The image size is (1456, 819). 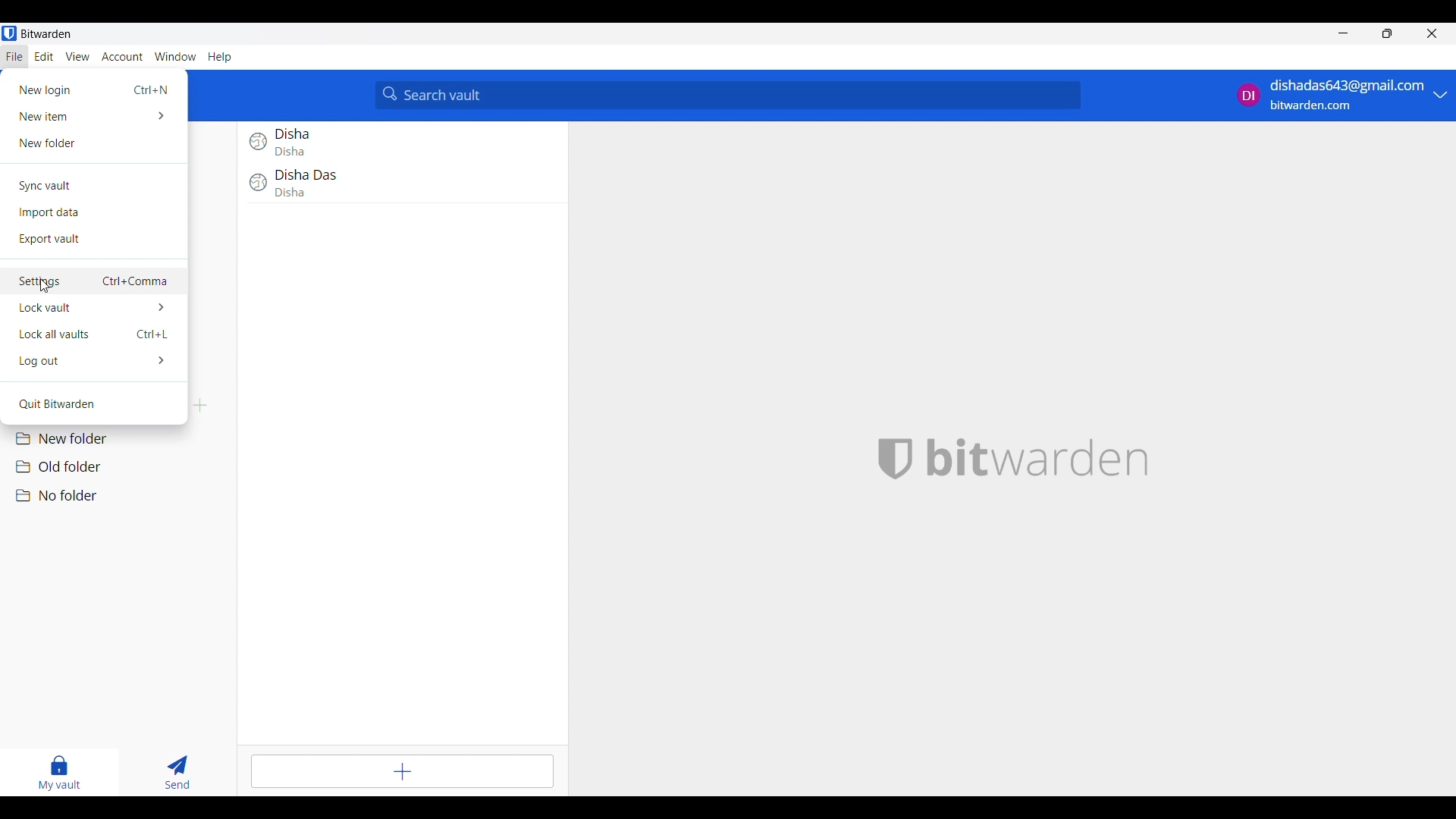 What do you see at coordinates (77, 57) in the screenshot?
I see `View menu` at bounding box center [77, 57].